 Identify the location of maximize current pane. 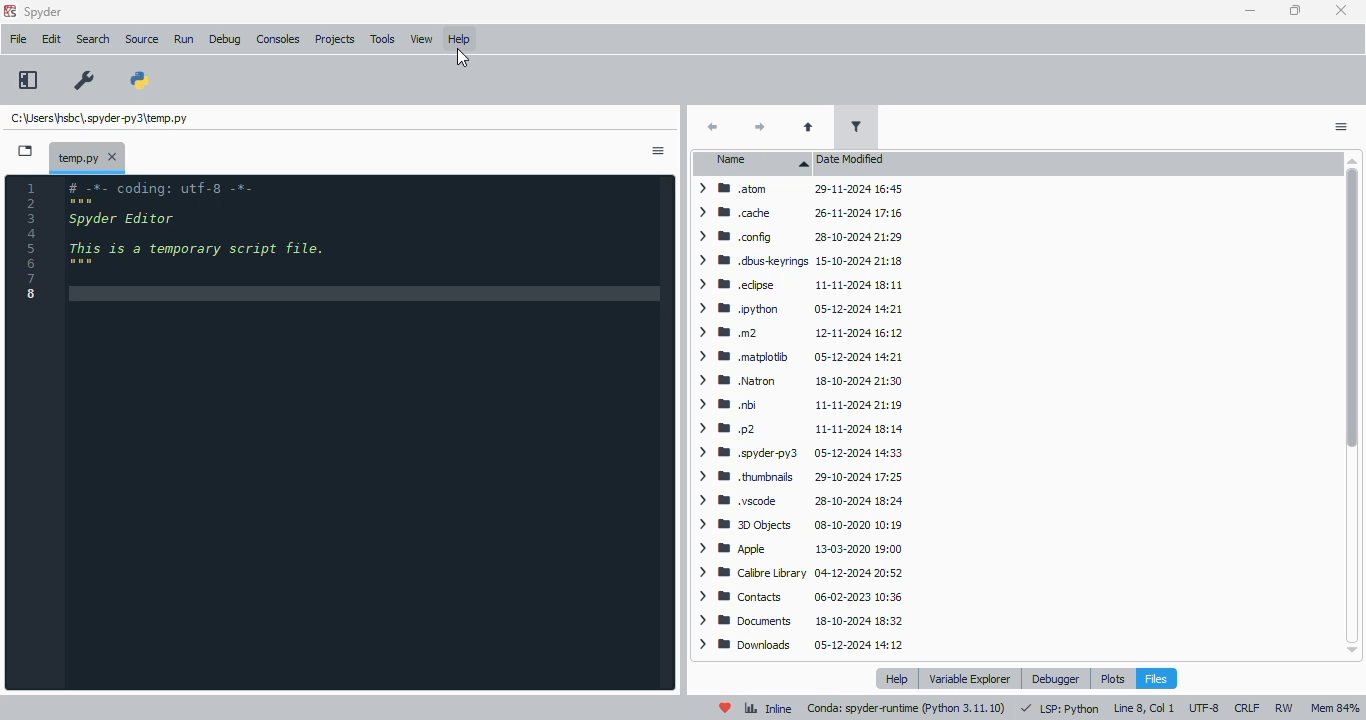
(27, 80).